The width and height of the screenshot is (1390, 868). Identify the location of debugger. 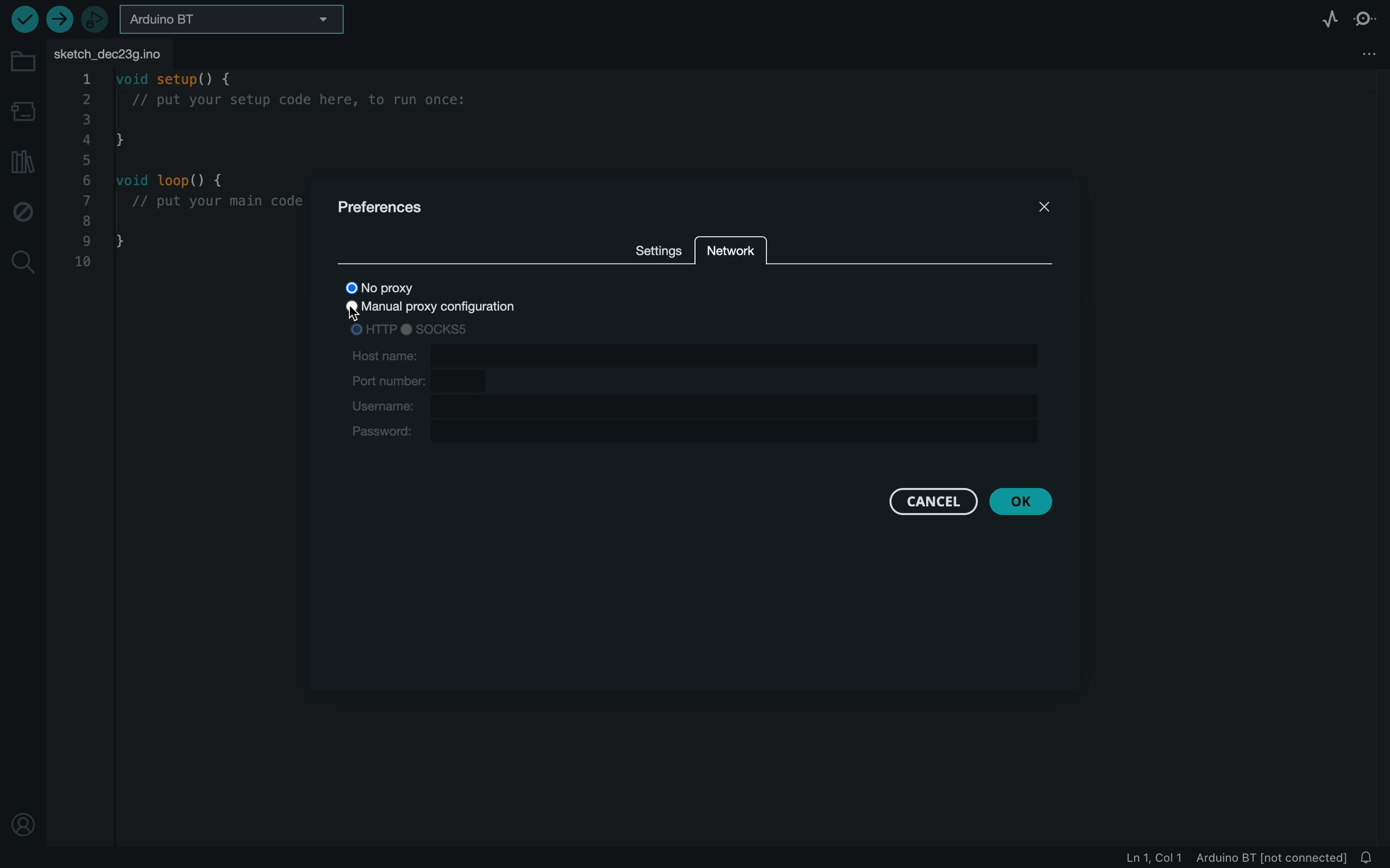
(96, 20).